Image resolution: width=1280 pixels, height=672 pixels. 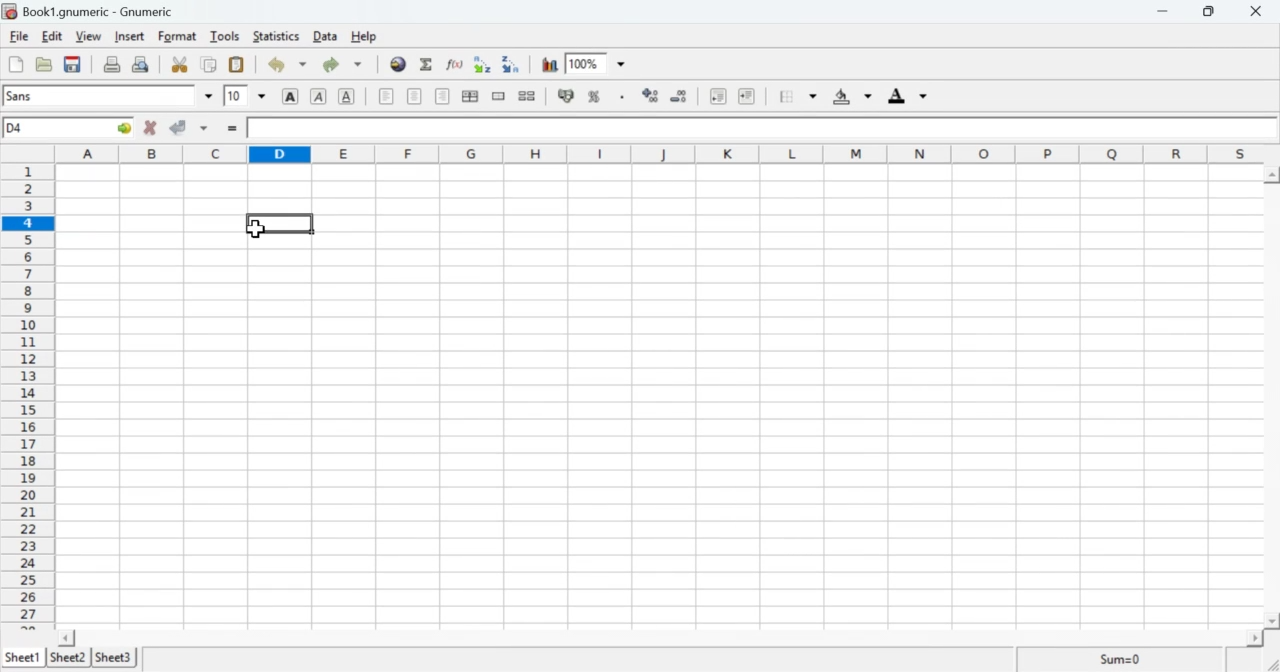 I want to click on Help, so click(x=363, y=36).